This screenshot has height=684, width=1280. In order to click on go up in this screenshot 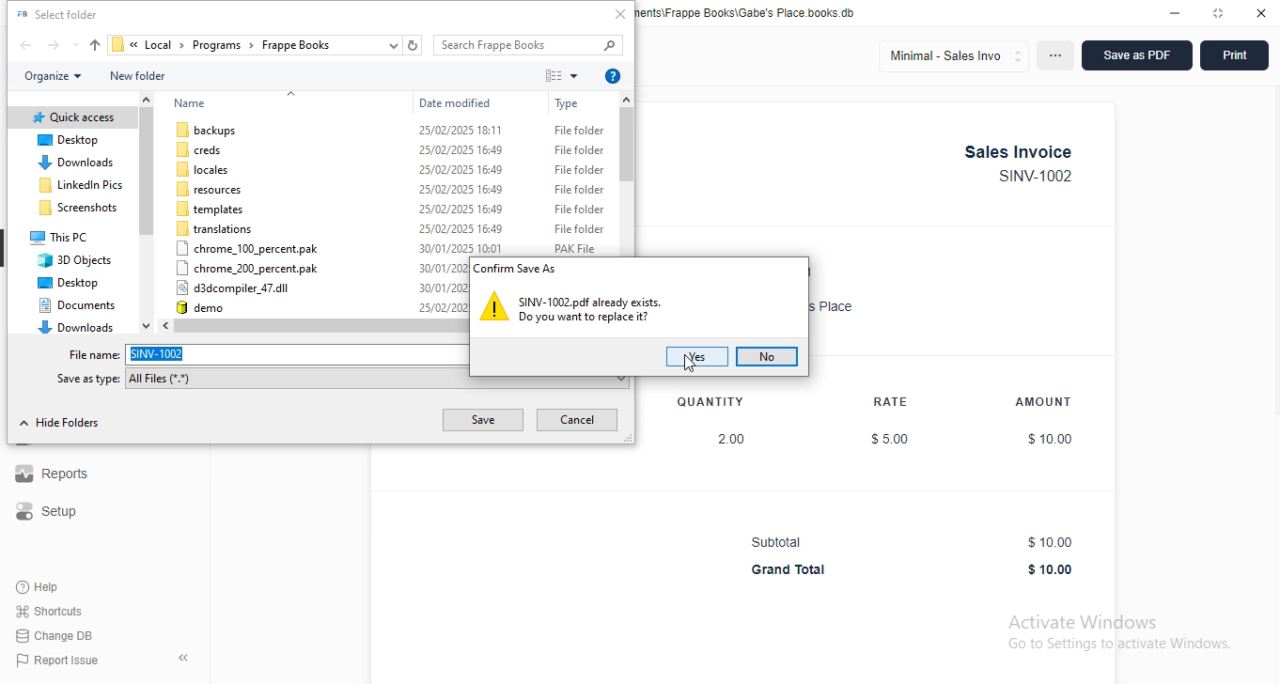, I will do `click(291, 95)`.